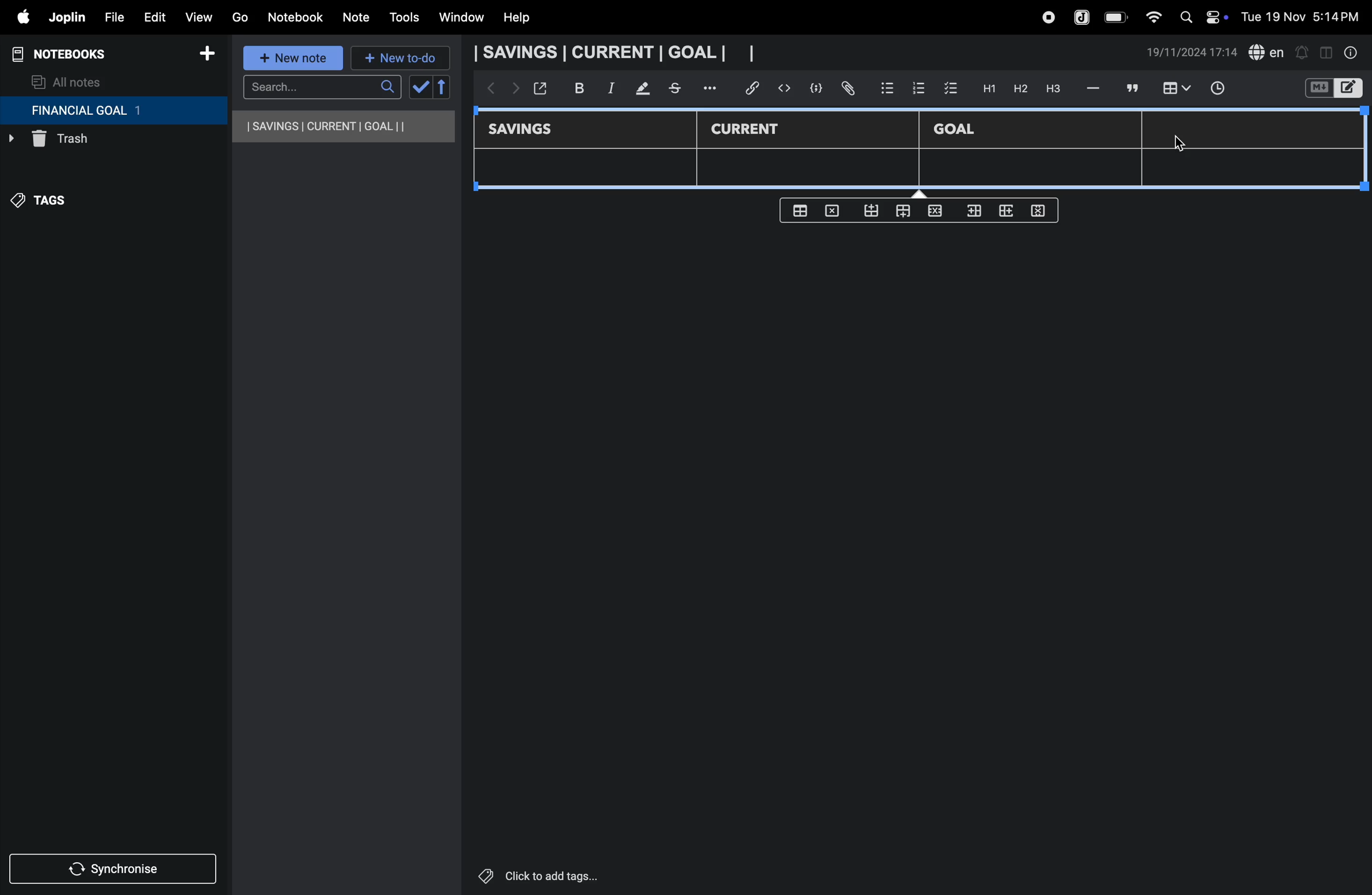 The height and width of the screenshot is (895, 1372). Describe the element at coordinates (972, 213) in the screenshot. I see `inser rows` at that location.